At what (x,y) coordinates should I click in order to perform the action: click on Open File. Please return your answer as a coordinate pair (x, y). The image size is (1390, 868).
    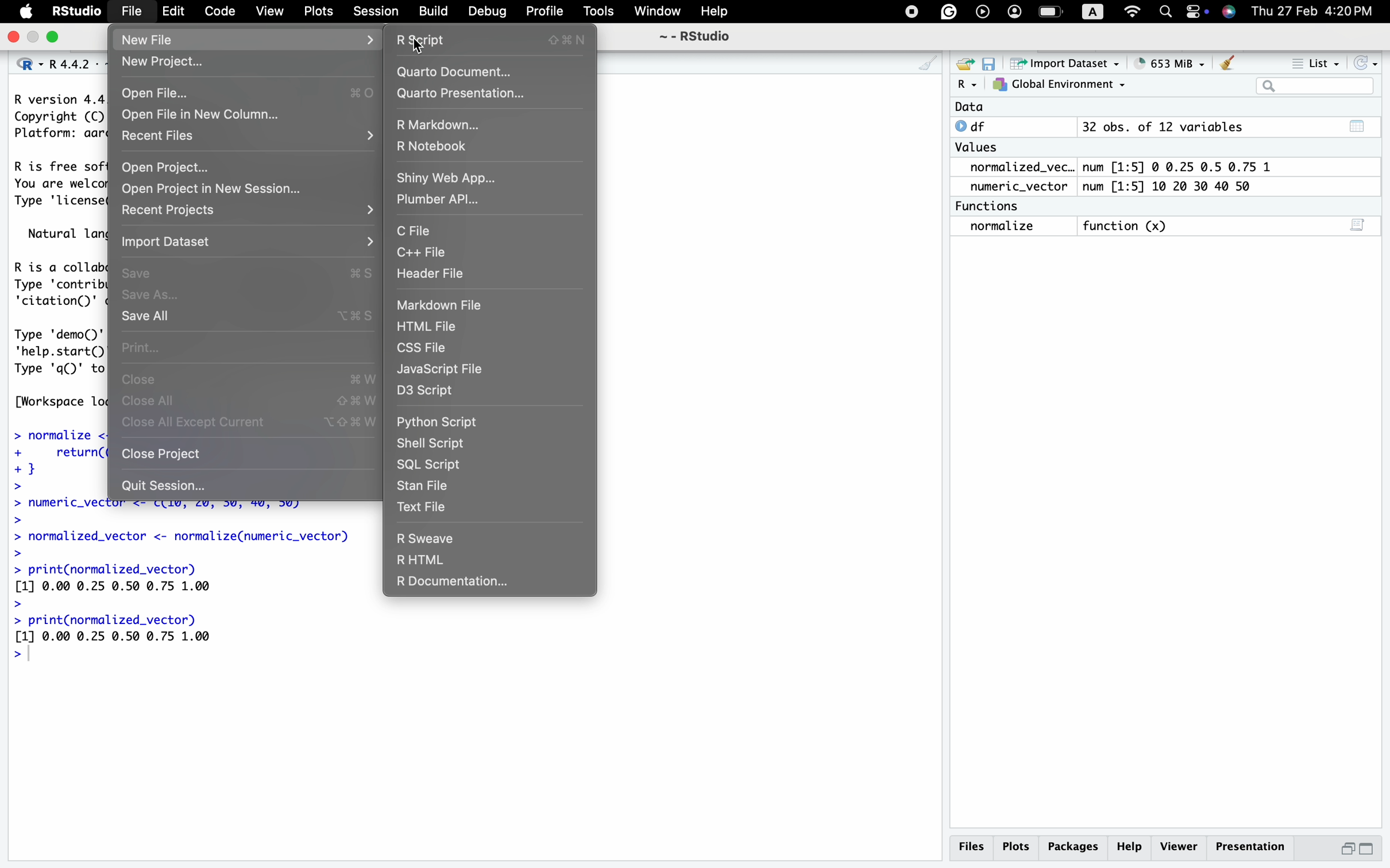
    Looking at the image, I should click on (154, 92).